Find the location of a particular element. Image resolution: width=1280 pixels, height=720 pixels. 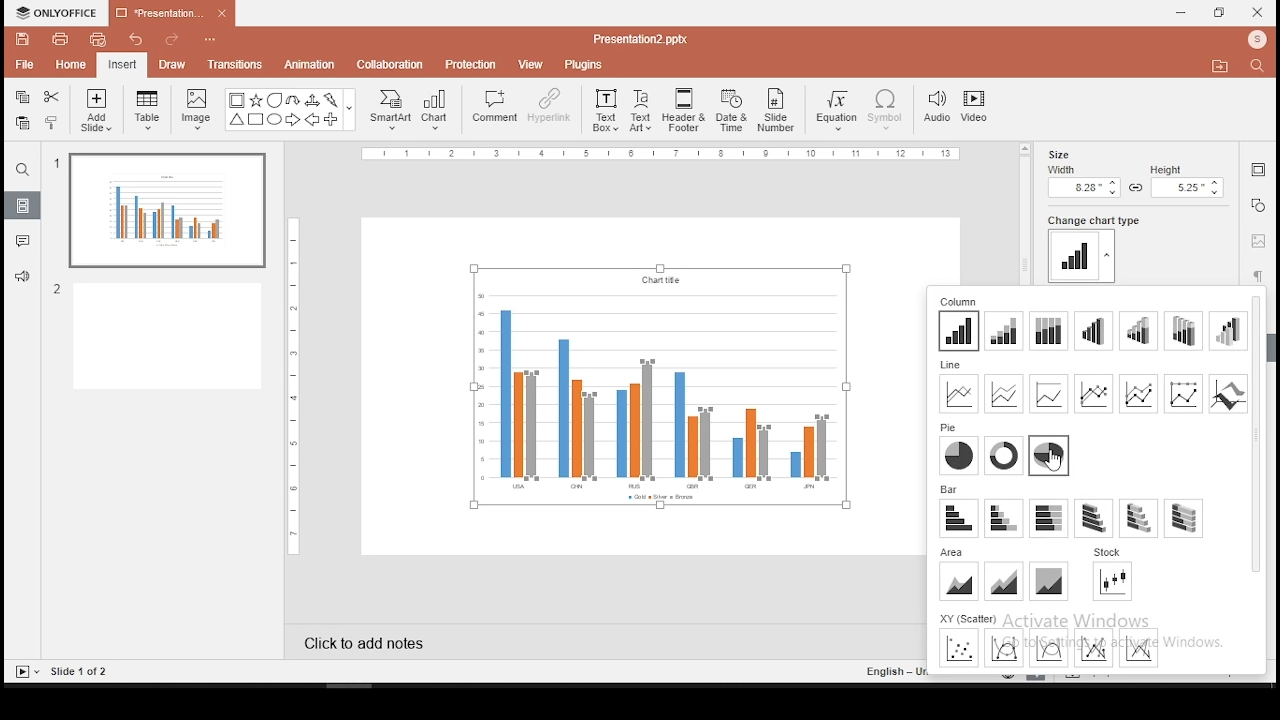

more options is located at coordinates (209, 37).